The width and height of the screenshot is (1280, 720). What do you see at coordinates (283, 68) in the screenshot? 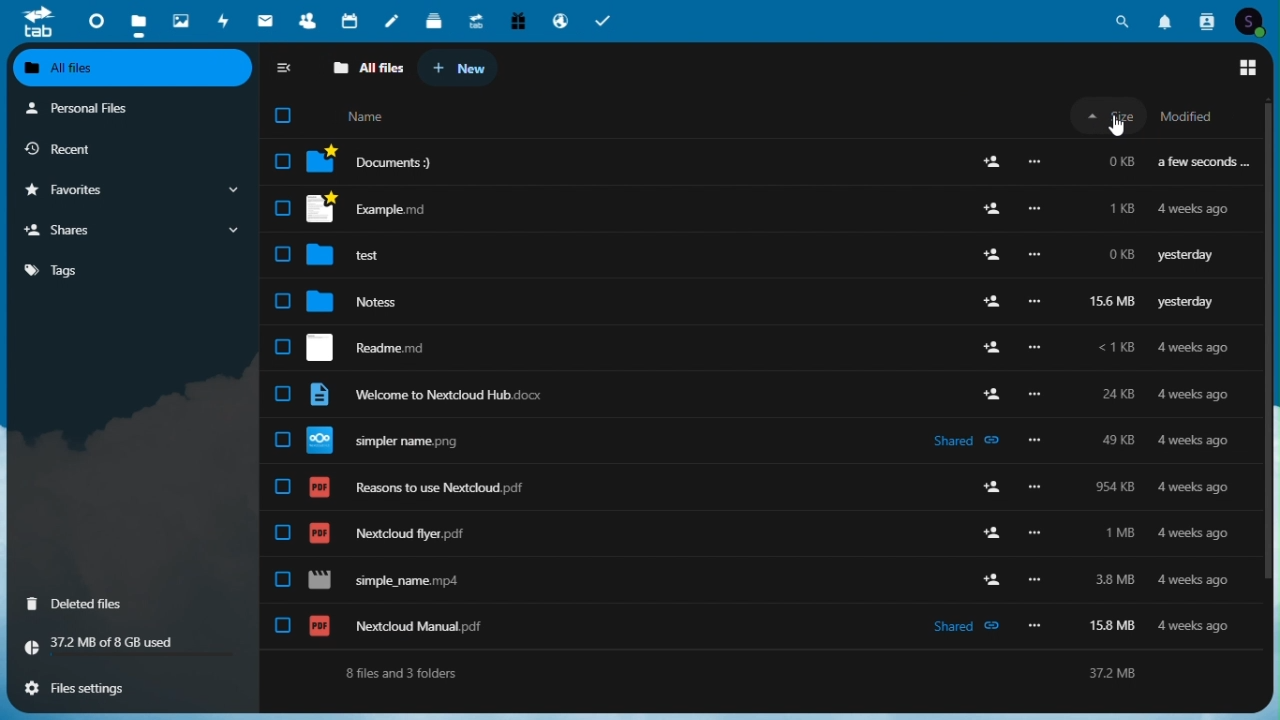
I see `Collapse side bar` at bounding box center [283, 68].